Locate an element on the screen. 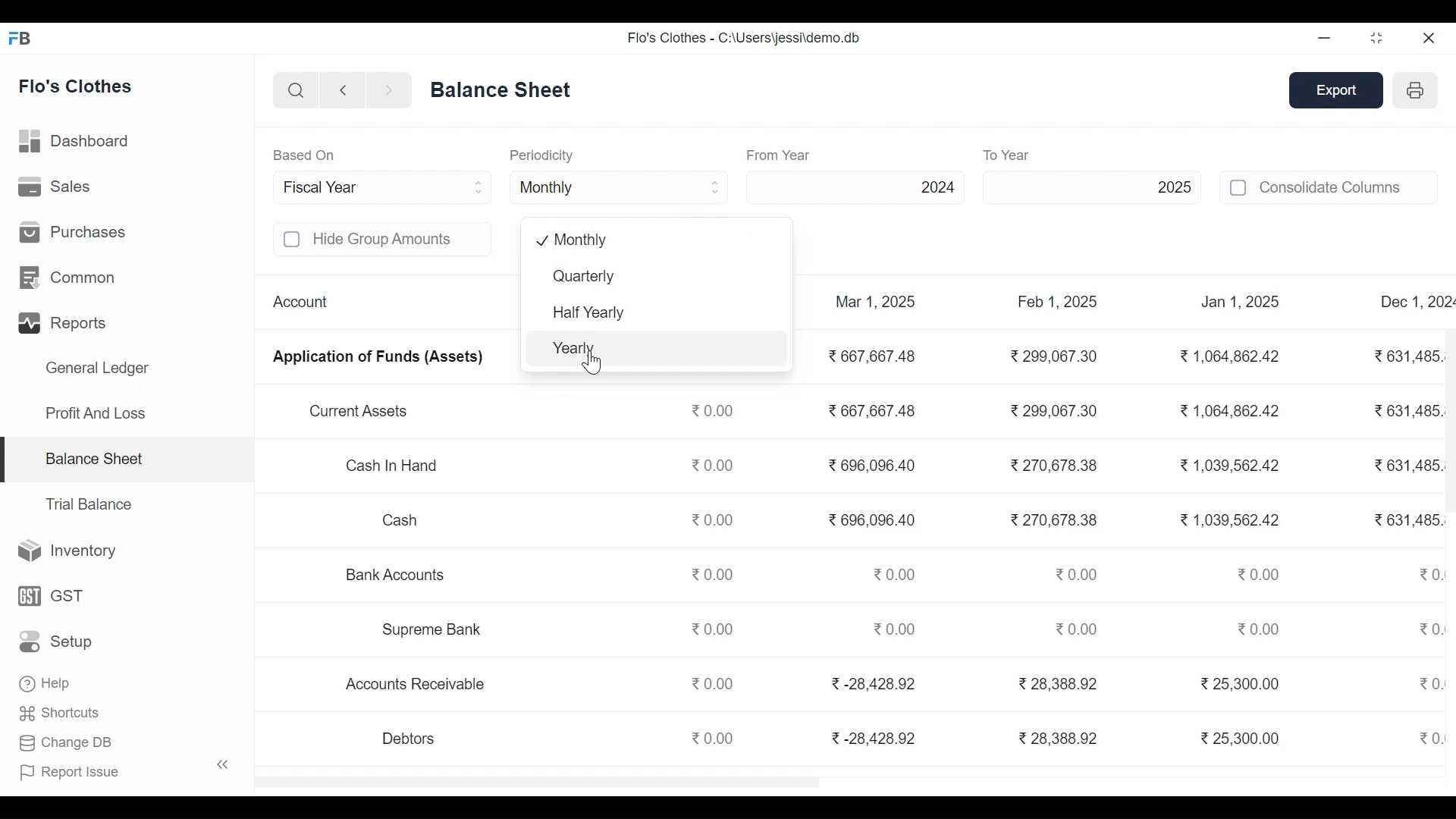 The height and width of the screenshot is (819, 1456). Based On is located at coordinates (304, 155).